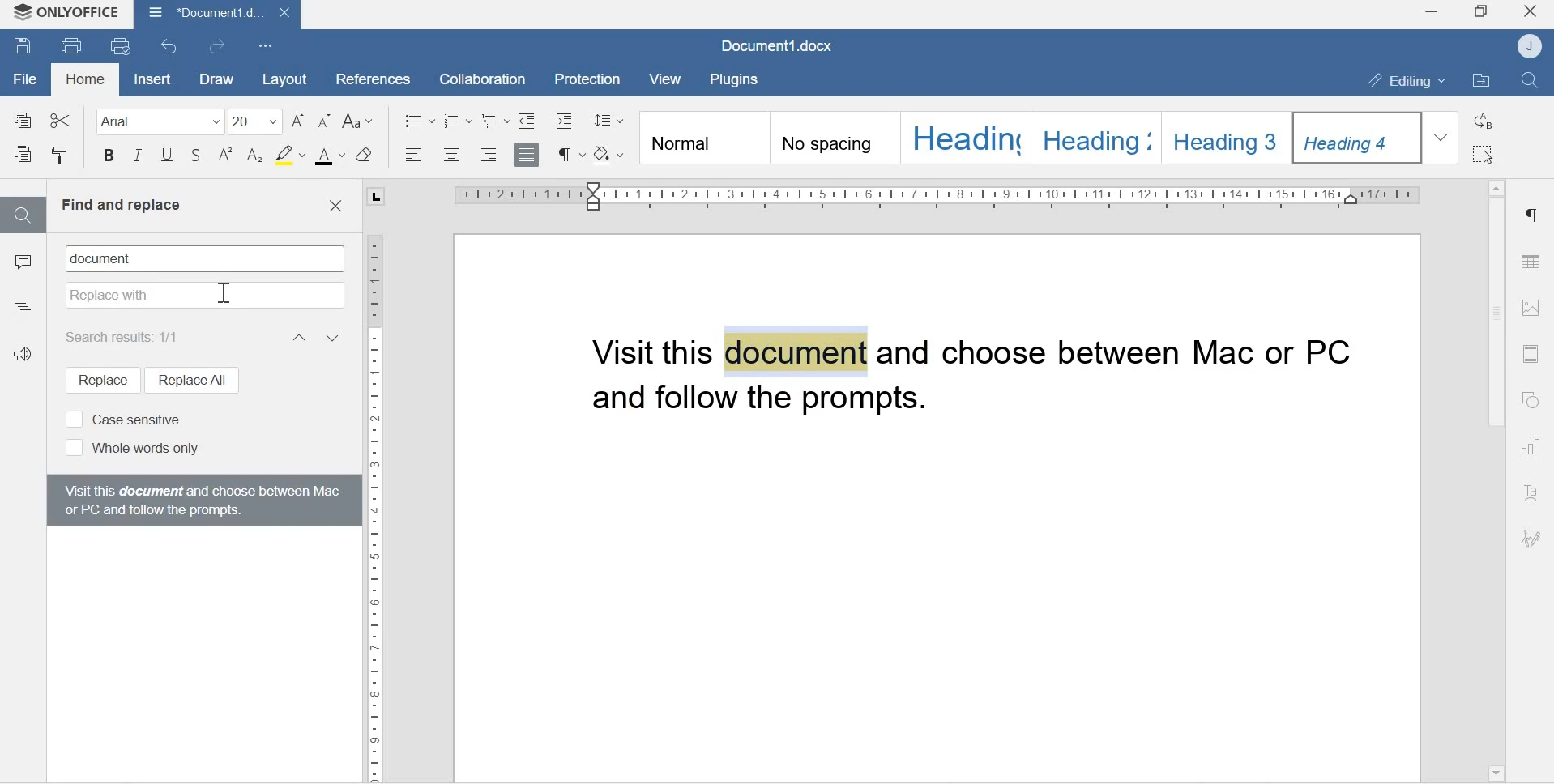 This screenshot has height=784, width=1554. Describe the element at coordinates (796, 351) in the screenshot. I see `document (highlighted text)` at that location.